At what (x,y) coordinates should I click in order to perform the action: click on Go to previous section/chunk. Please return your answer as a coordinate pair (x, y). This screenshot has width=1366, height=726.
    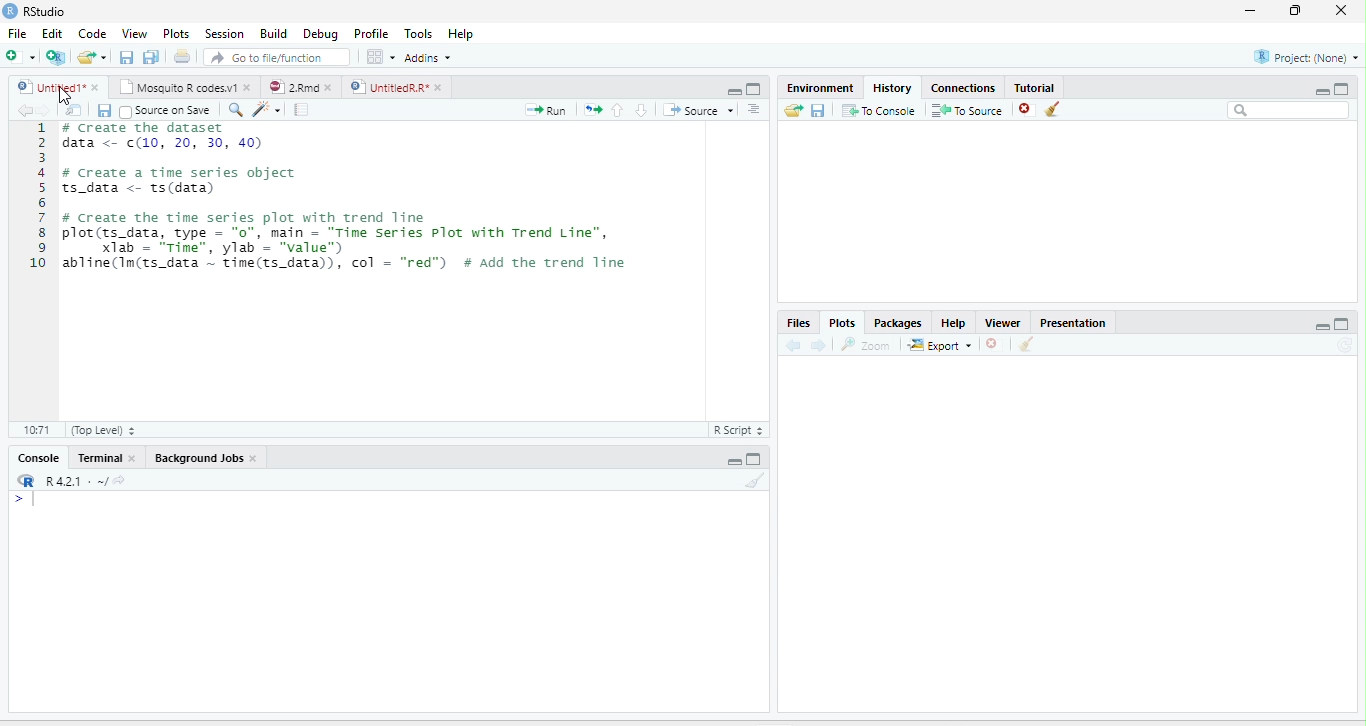
    Looking at the image, I should click on (617, 109).